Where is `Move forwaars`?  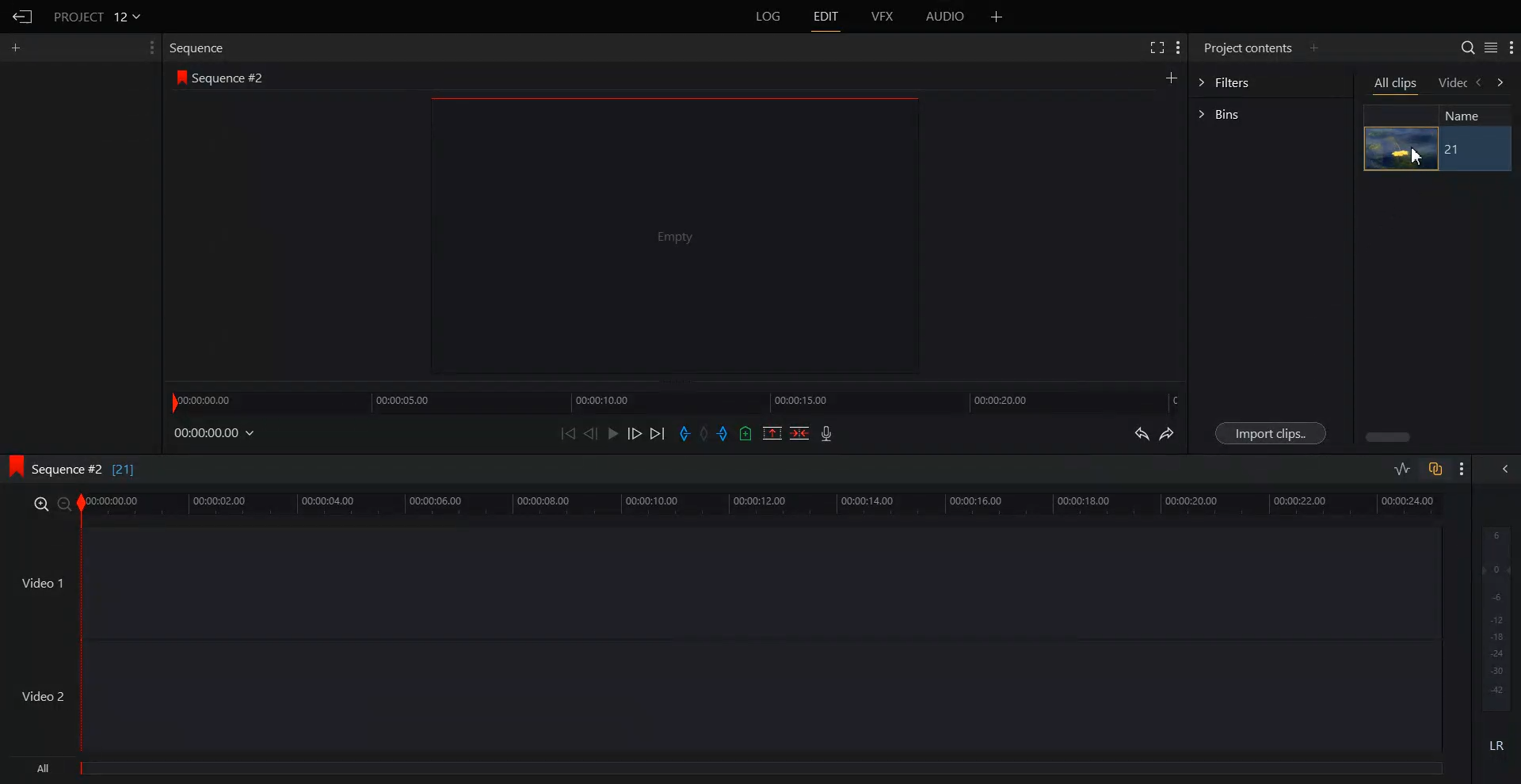 Move forwaars is located at coordinates (1500, 82).